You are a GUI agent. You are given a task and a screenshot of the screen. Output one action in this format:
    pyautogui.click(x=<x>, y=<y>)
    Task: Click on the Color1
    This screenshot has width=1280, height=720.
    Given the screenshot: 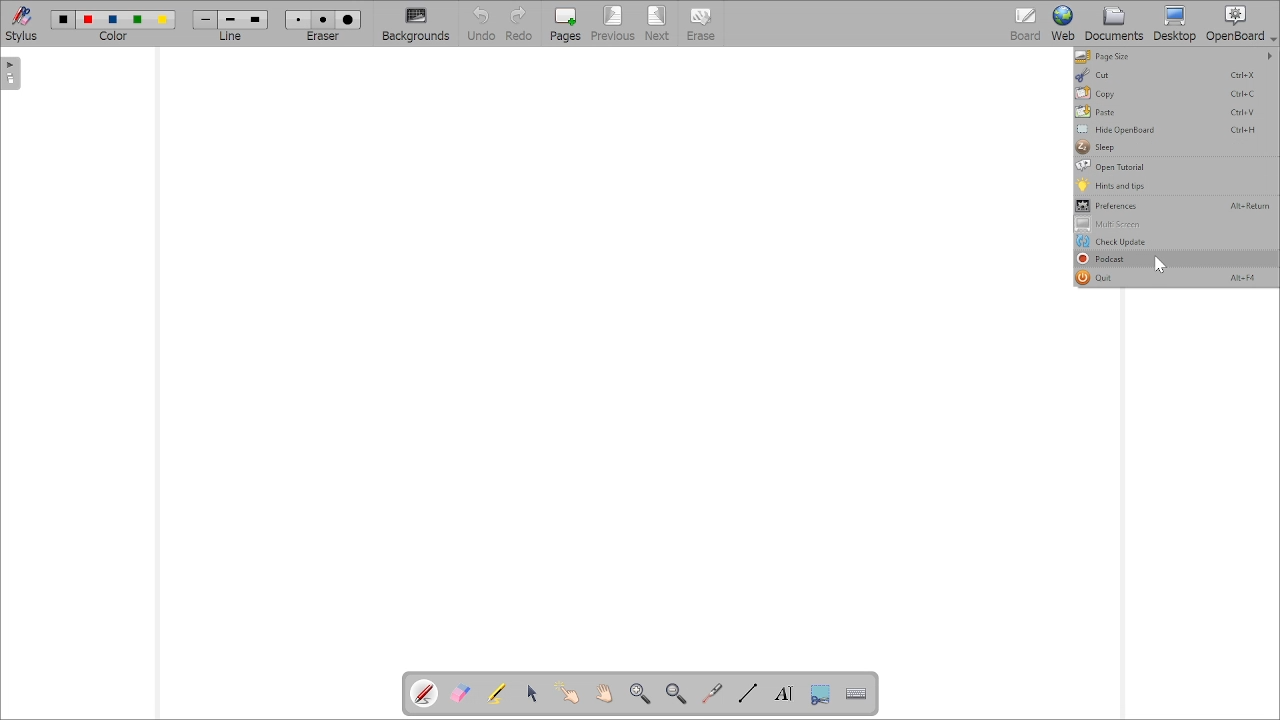 What is the action you would take?
    pyautogui.click(x=63, y=19)
    